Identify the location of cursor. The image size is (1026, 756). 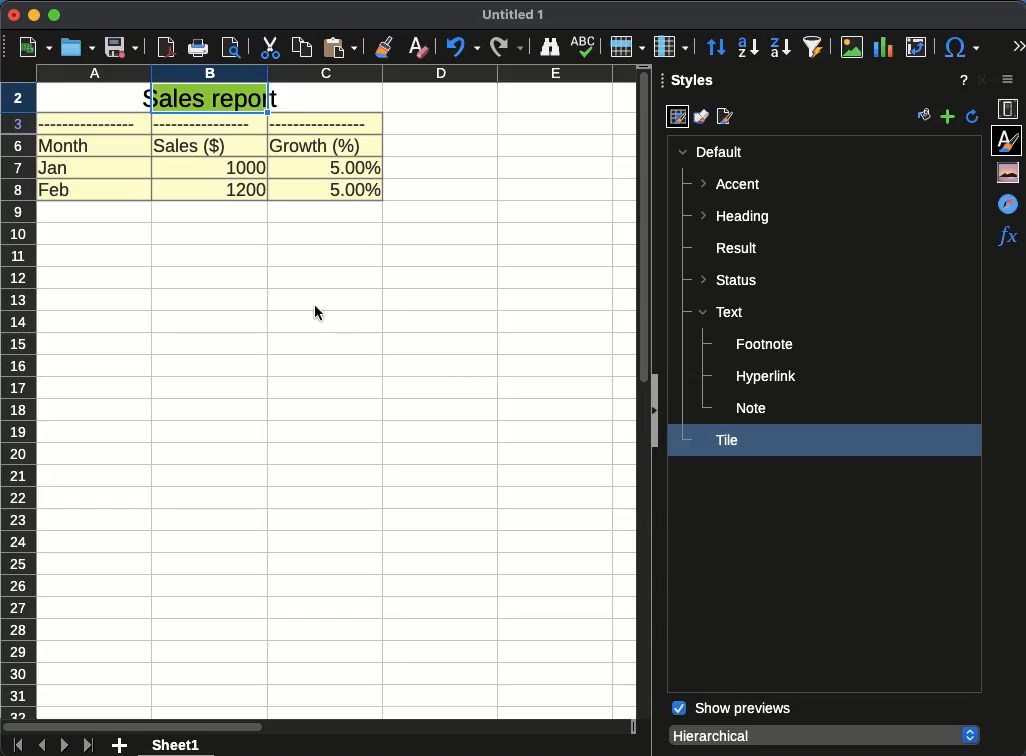
(320, 312).